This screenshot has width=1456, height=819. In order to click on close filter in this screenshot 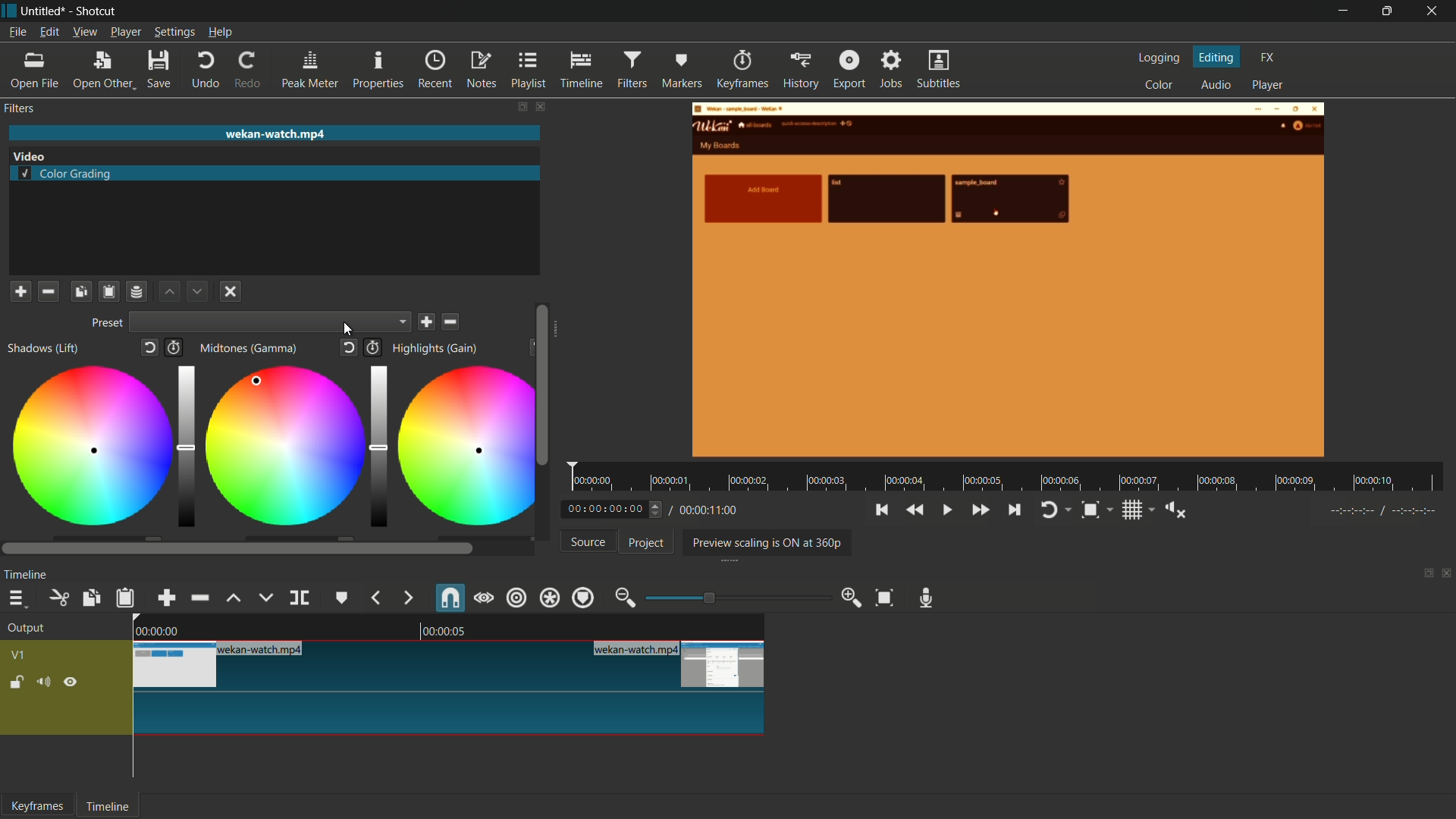, I will do `click(540, 107)`.